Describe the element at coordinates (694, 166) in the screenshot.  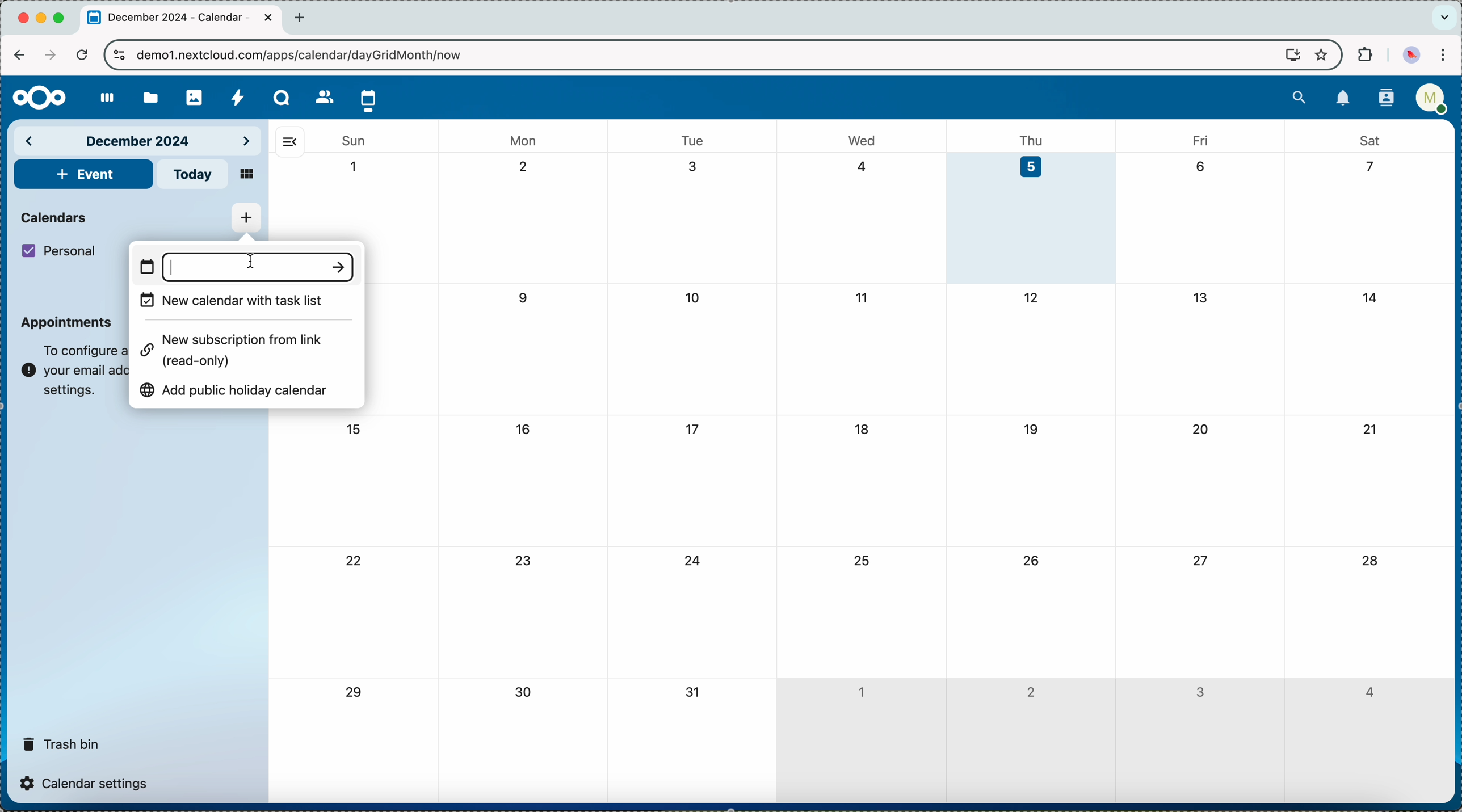
I see `3` at that location.